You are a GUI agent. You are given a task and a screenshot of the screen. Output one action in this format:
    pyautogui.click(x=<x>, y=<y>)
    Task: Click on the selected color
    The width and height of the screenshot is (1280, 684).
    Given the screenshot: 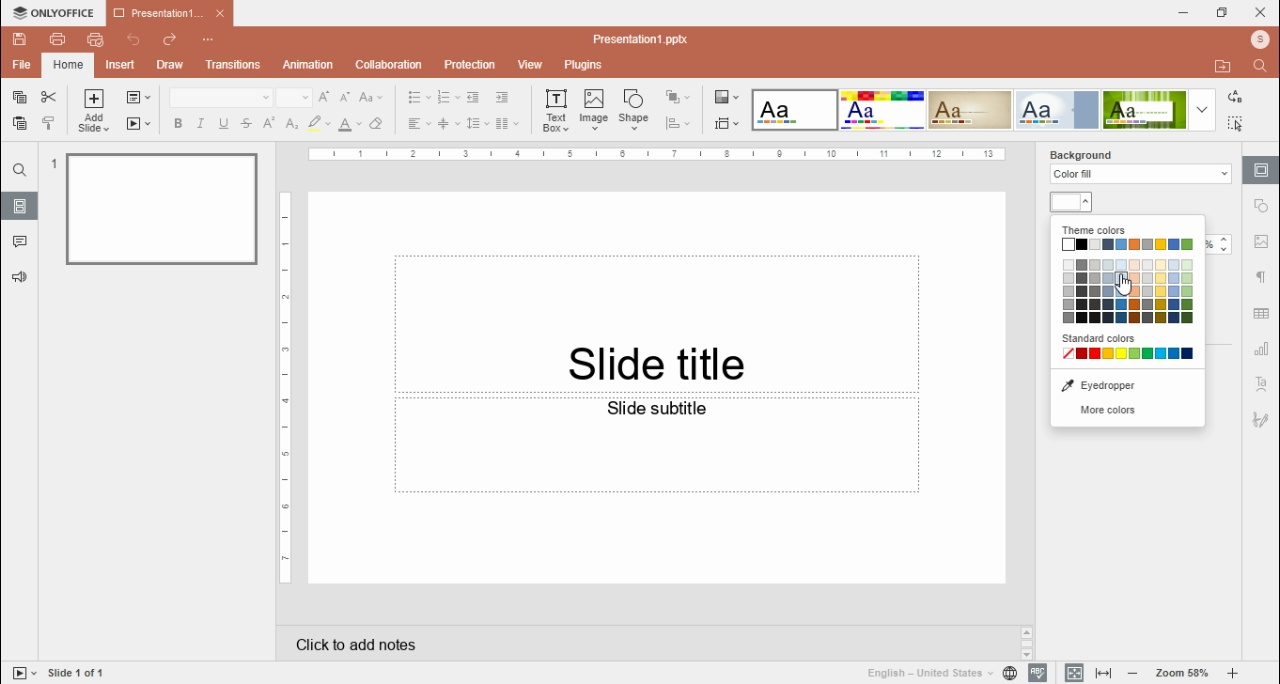 What is the action you would take?
    pyautogui.click(x=1122, y=279)
    